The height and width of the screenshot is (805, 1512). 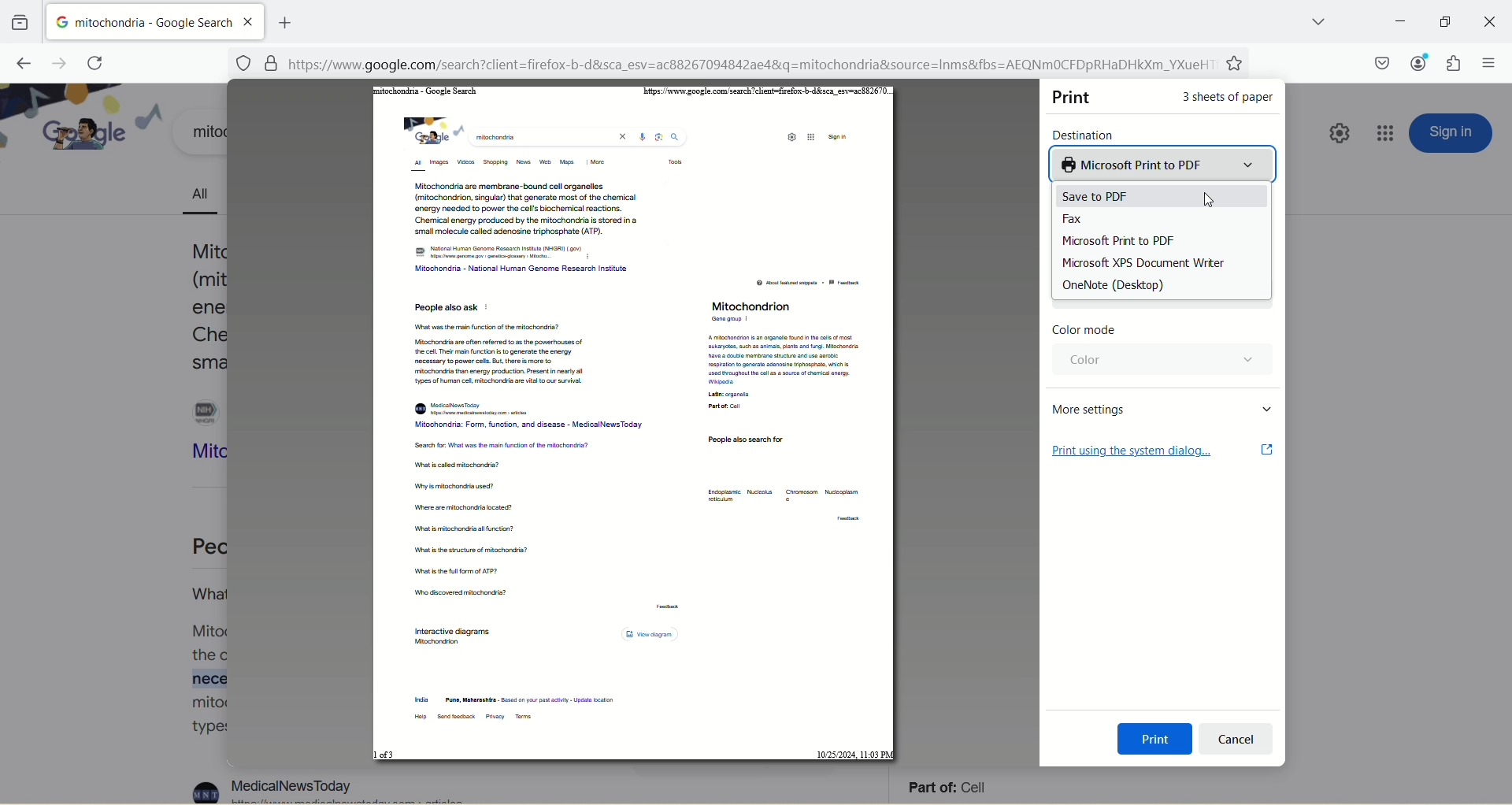 What do you see at coordinates (284, 20) in the screenshot?
I see `add new tab` at bounding box center [284, 20].